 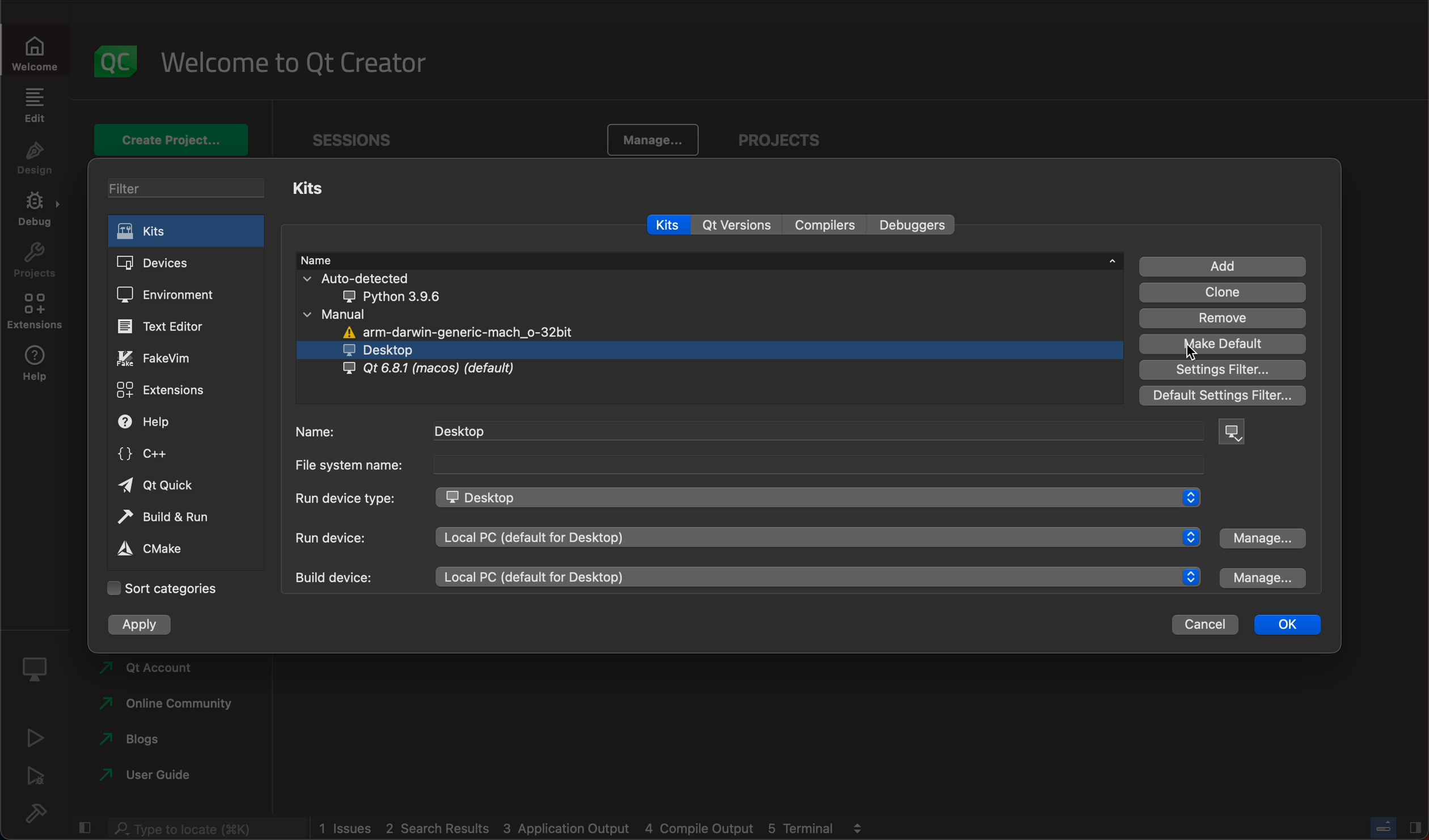 What do you see at coordinates (579, 828) in the screenshot?
I see `1 issues 2 search results 3 application output 4 compile output 5 terminal` at bounding box center [579, 828].